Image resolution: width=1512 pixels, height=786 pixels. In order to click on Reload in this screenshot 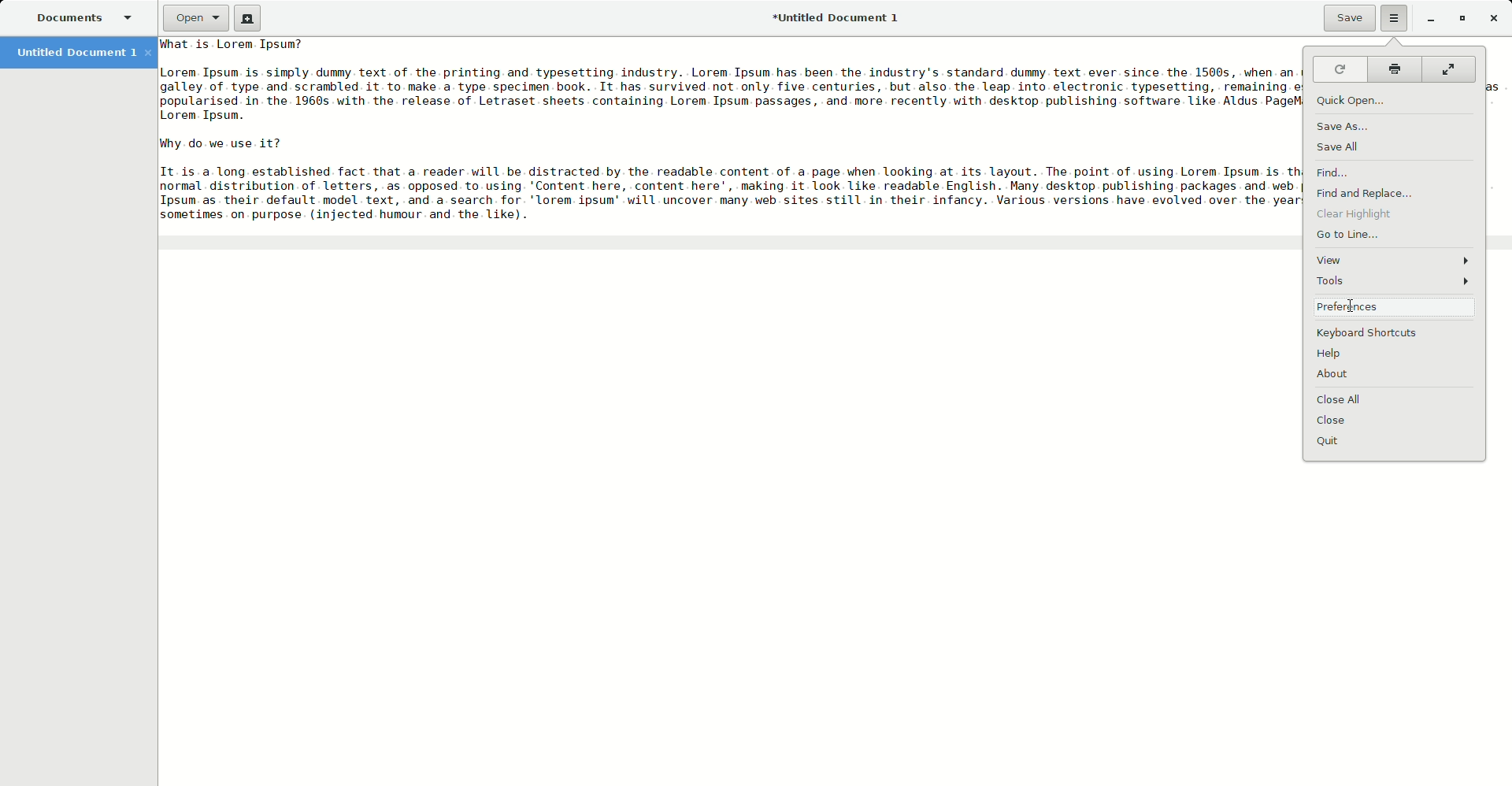, I will do `click(1340, 69)`.